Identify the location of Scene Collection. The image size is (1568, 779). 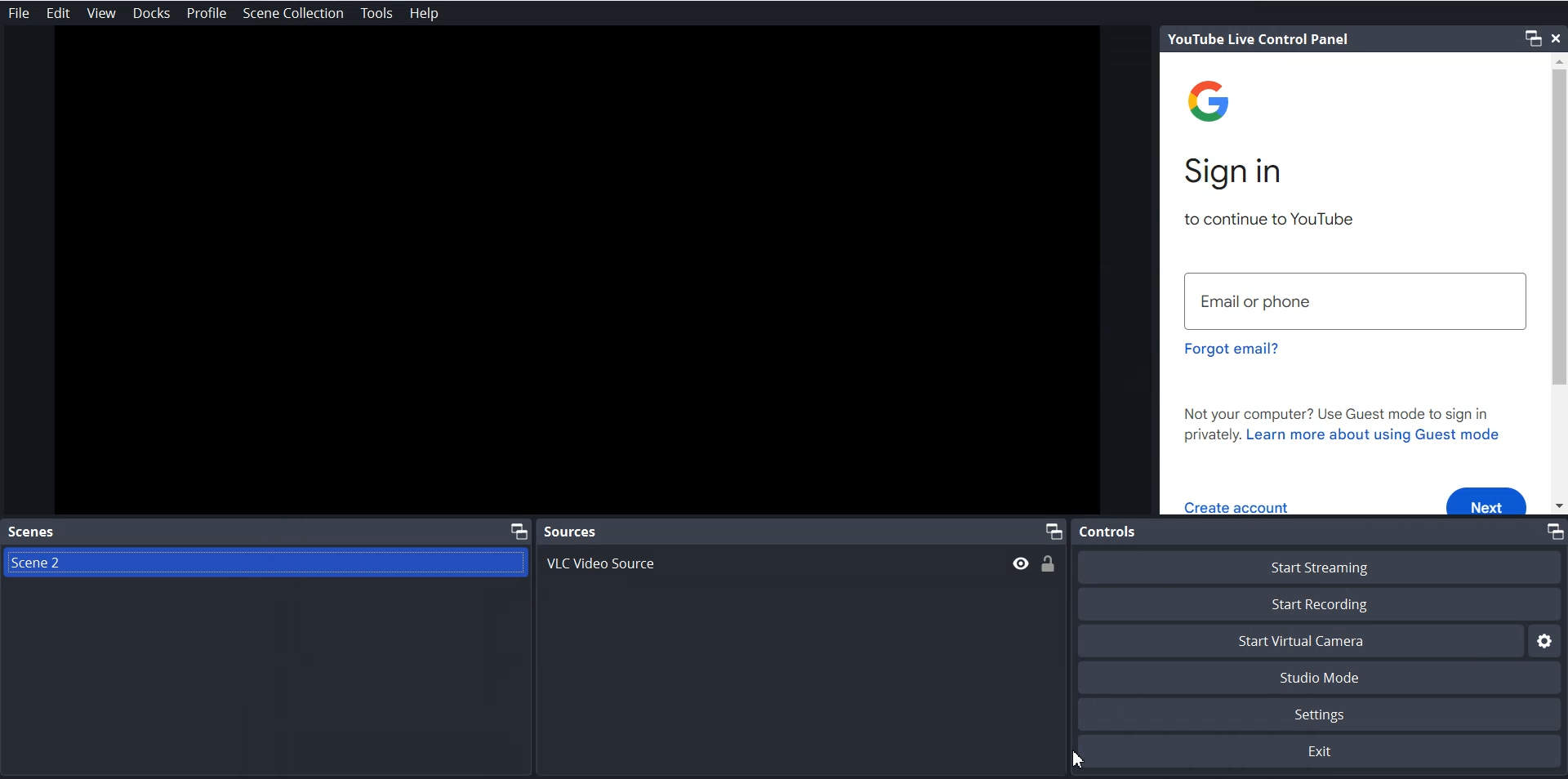
(293, 12).